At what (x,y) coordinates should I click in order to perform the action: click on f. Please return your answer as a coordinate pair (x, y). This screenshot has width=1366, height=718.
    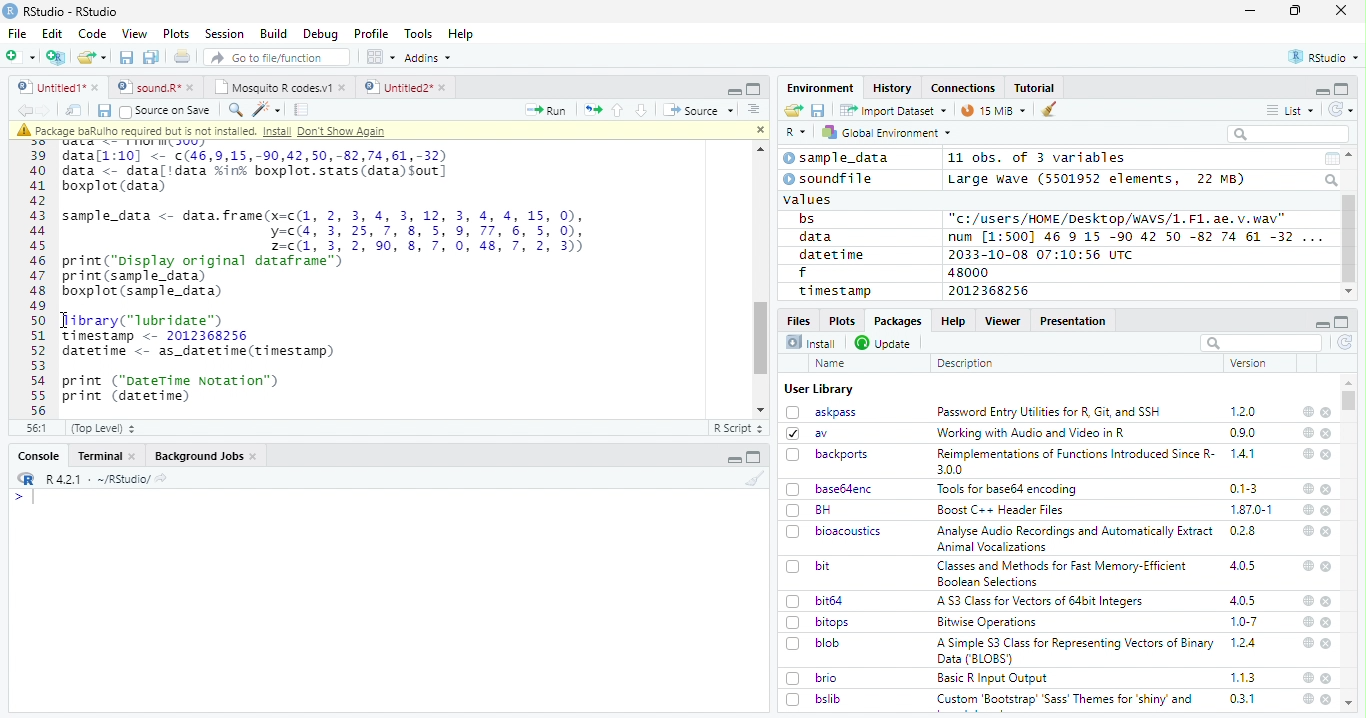
    Looking at the image, I should click on (803, 273).